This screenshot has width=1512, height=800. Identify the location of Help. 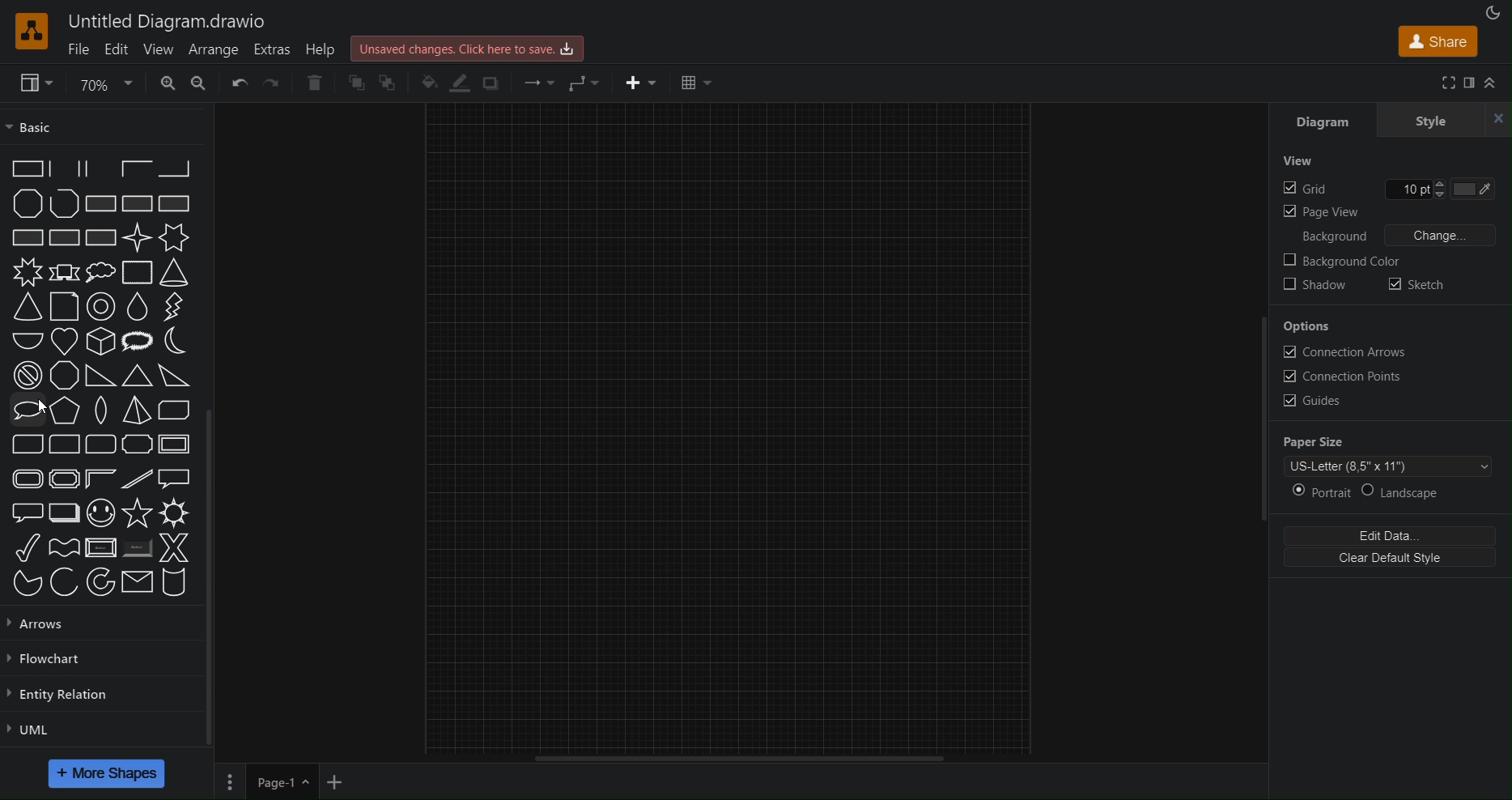
(324, 50).